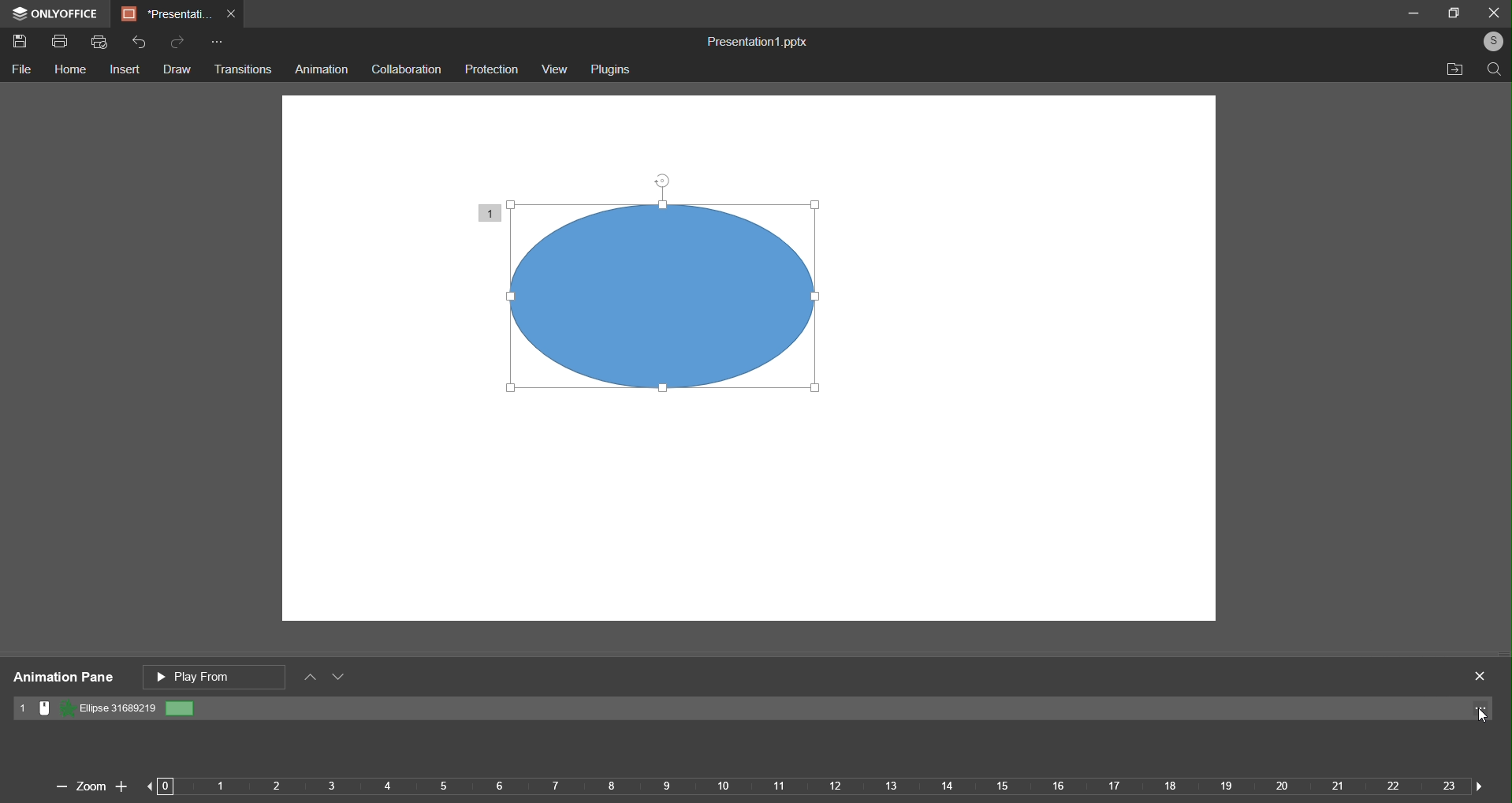 The image size is (1512, 803). What do you see at coordinates (161, 786) in the screenshot?
I see `previous` at bounding box center [161, 786].